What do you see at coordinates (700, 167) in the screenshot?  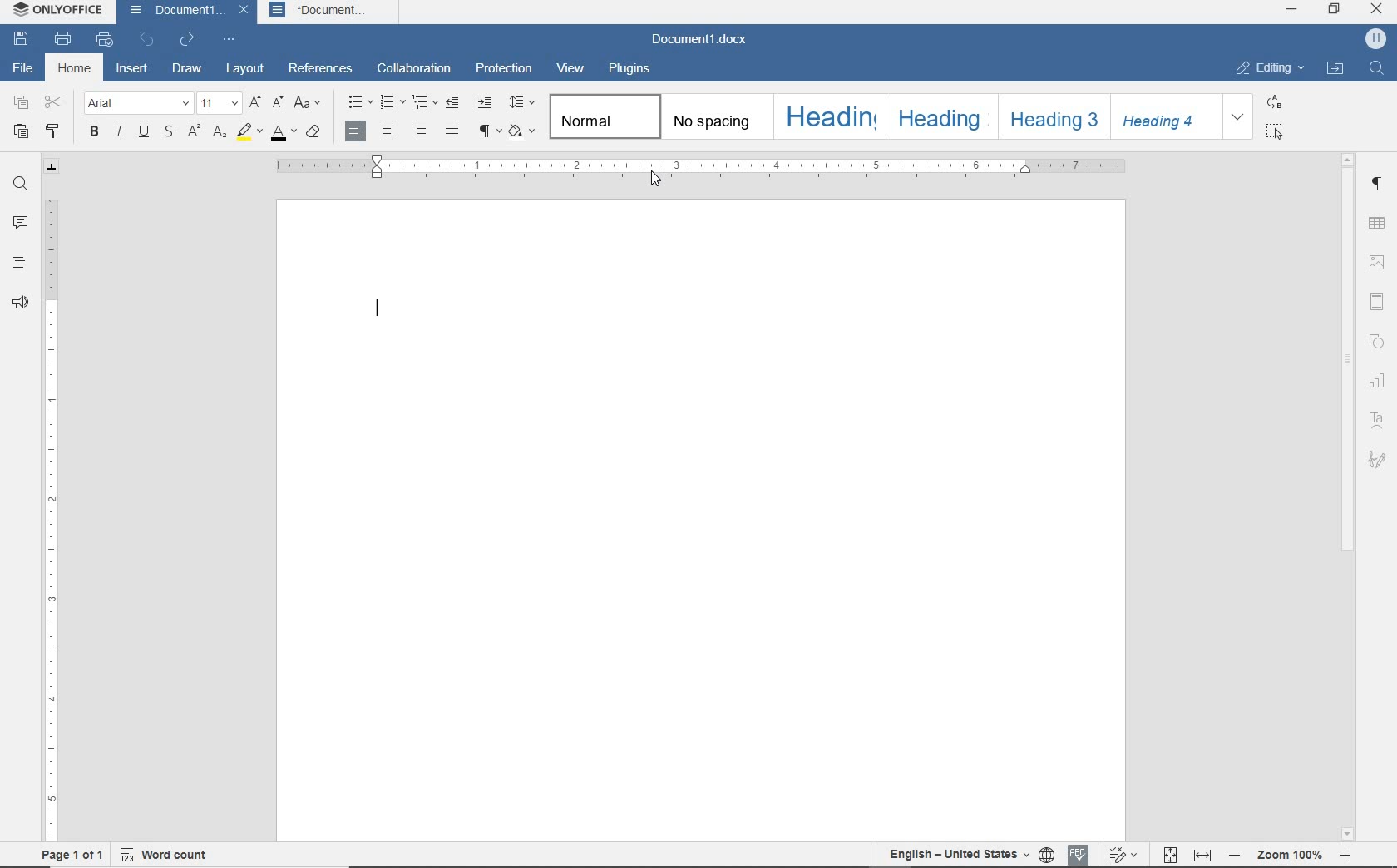 I see `RULER` at bounding box center [700, 167].